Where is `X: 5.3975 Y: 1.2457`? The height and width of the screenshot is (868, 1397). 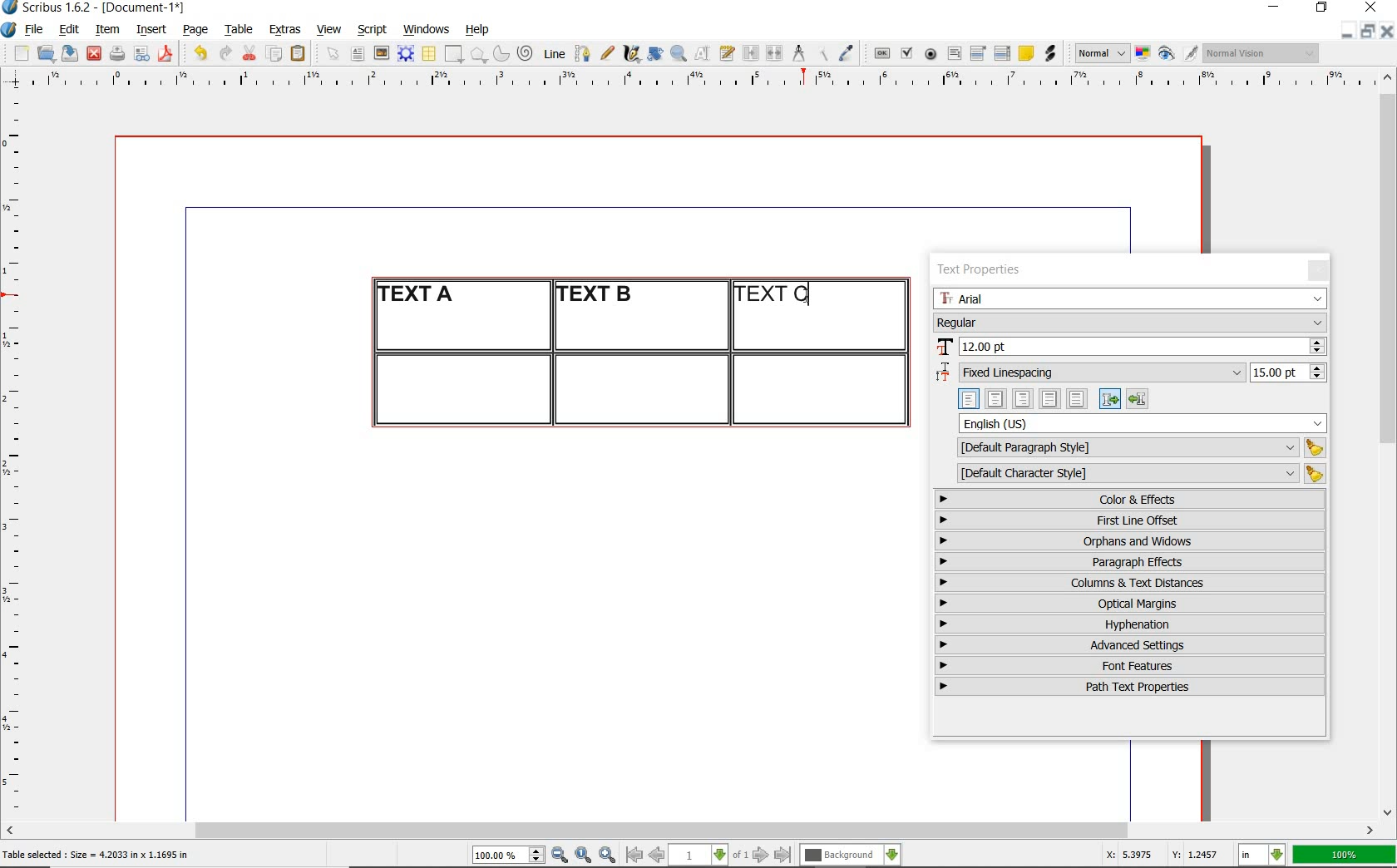
X: 5.3975 Y: 1.2457 is located at coordinates (1165, 855).